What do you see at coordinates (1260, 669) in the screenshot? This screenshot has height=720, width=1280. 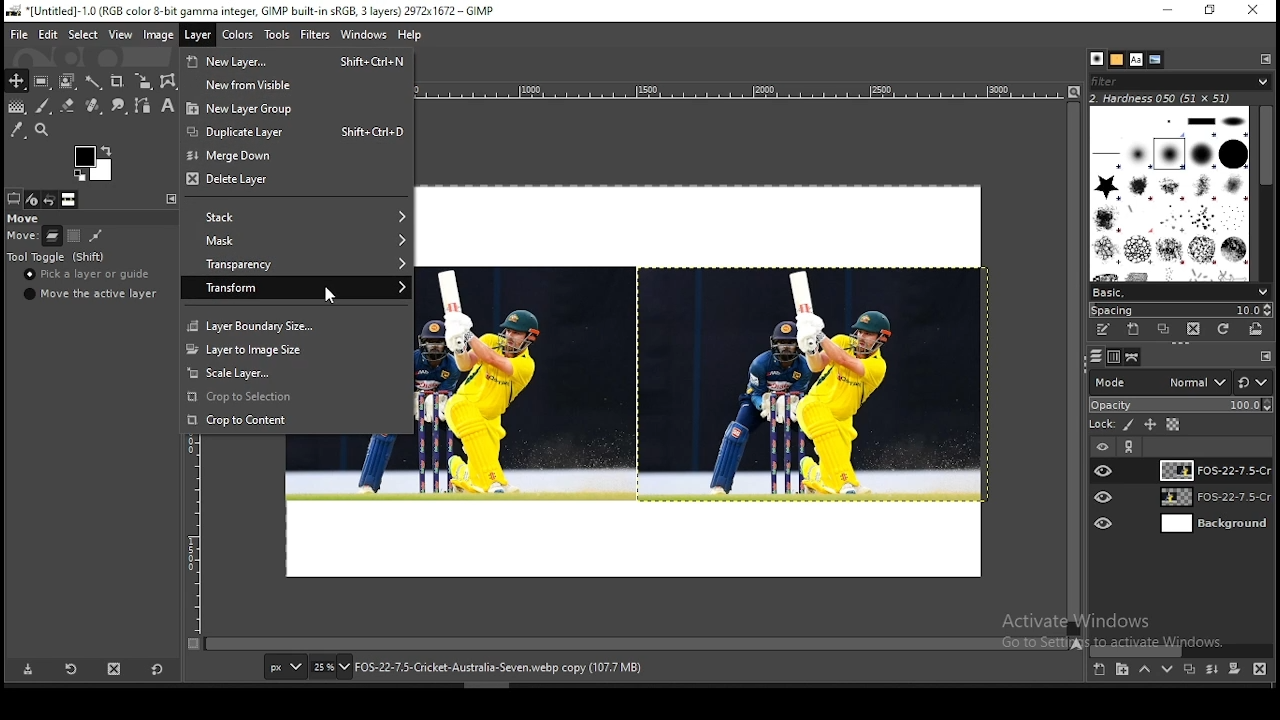 I see `delete layer` at bounding box center [1260, 669].